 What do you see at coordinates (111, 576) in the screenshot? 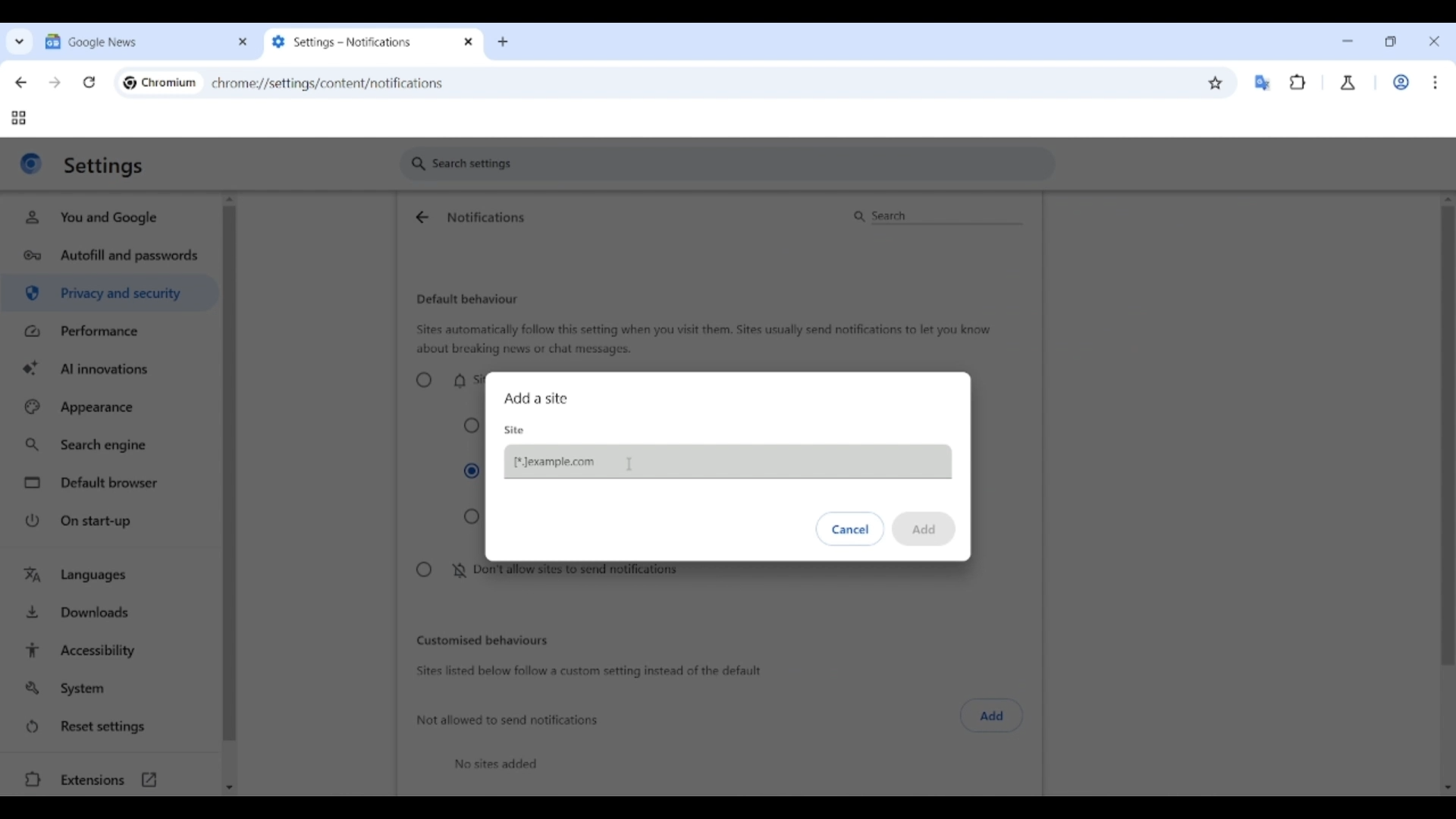
I see `Languages` at bounding box center [111, 576].